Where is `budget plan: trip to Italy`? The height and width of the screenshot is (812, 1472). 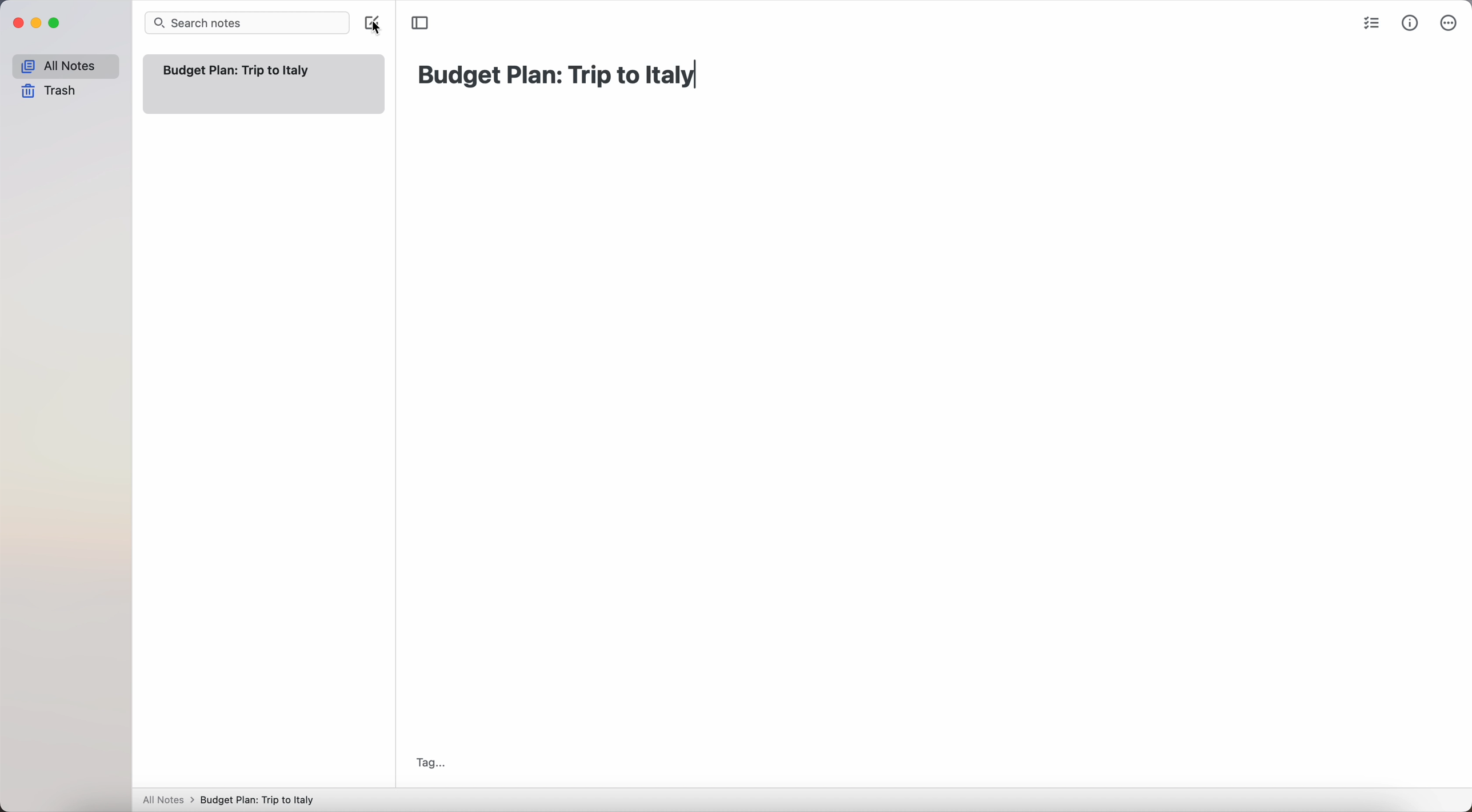
budget plan: trip to Italy is located at coordinates (559, 75).